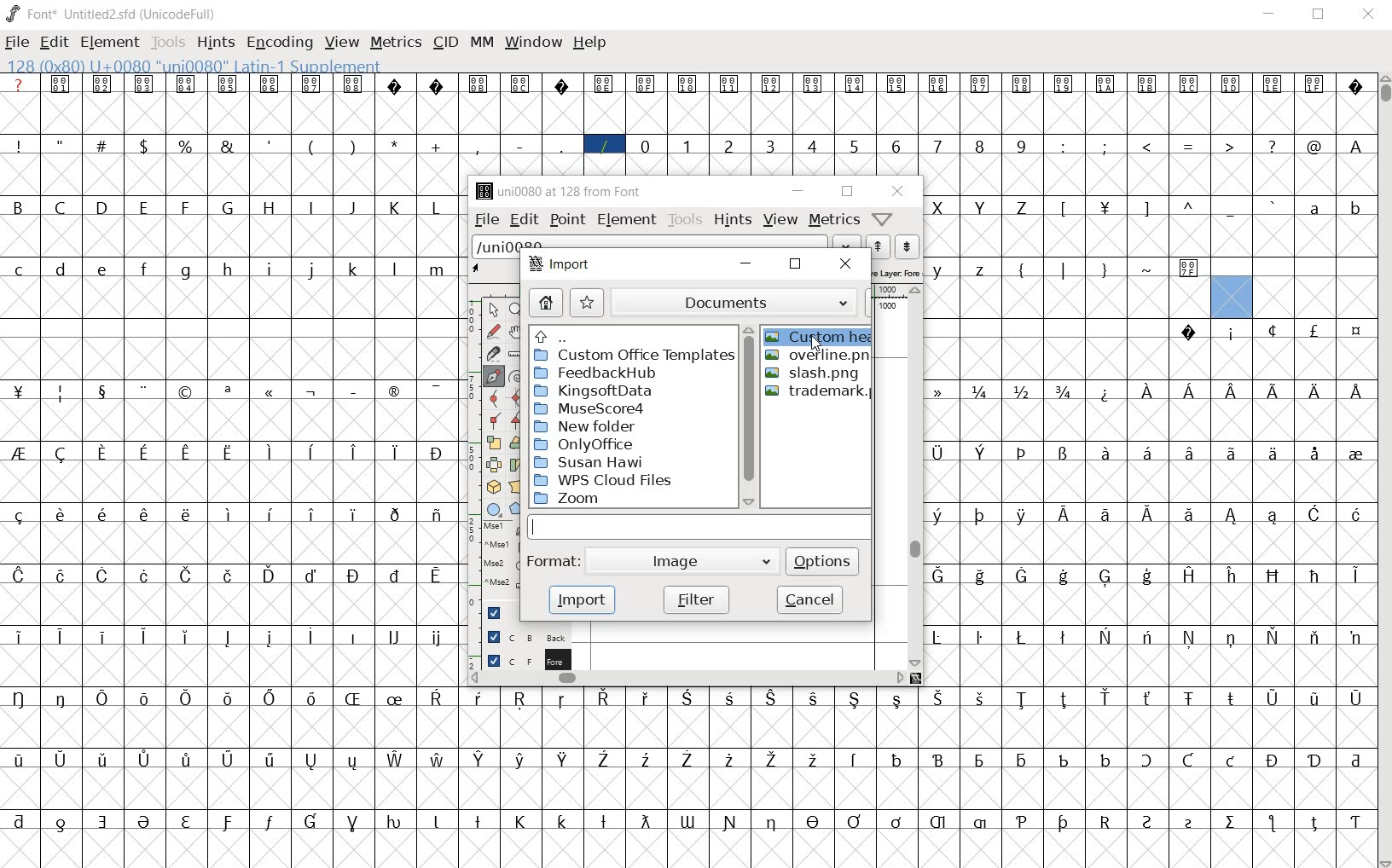  Describe the element at coordinates (1147, 146) in the screenshot. I see `glyph` at that location.